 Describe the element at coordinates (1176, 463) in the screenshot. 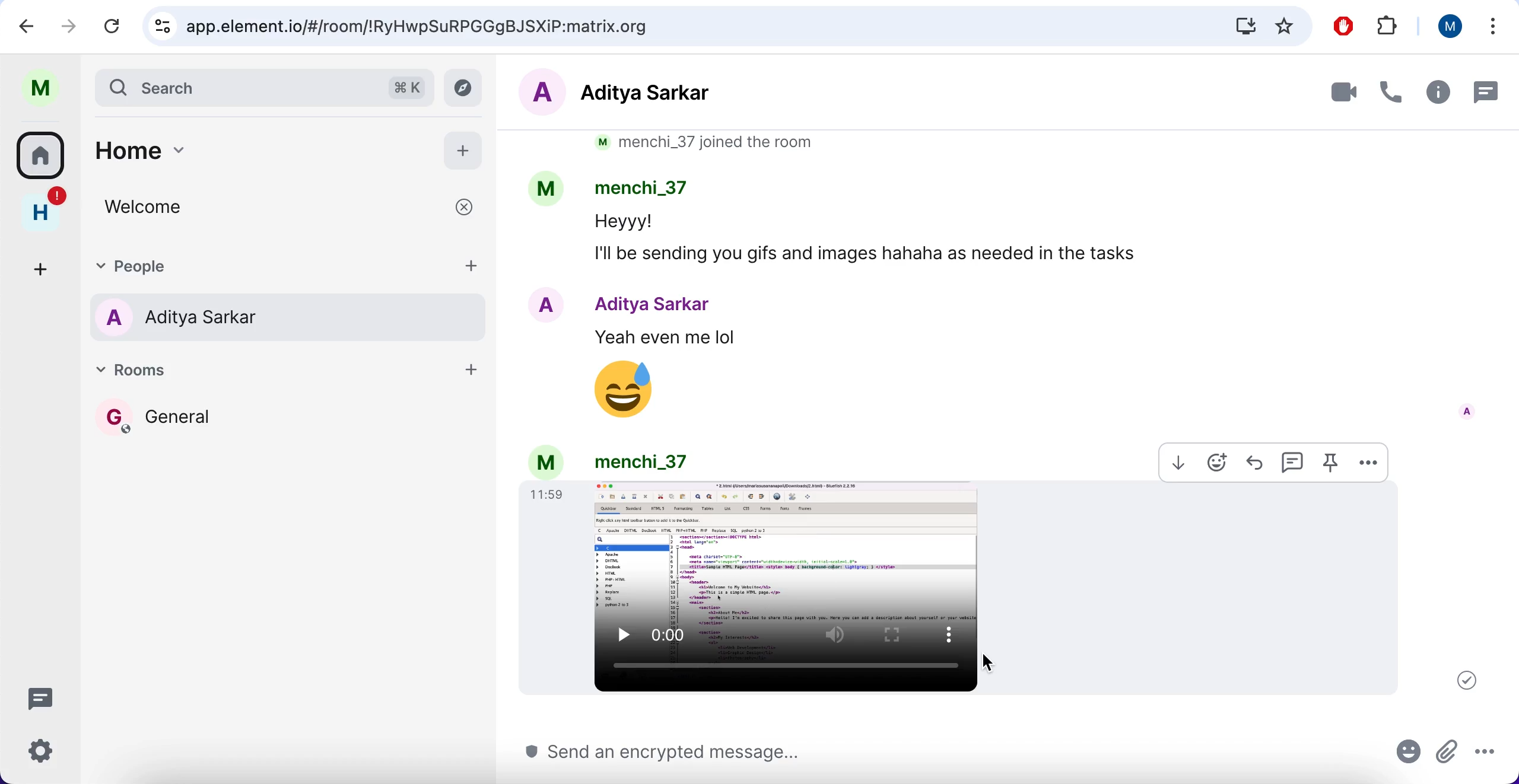

I see `download` at that location.